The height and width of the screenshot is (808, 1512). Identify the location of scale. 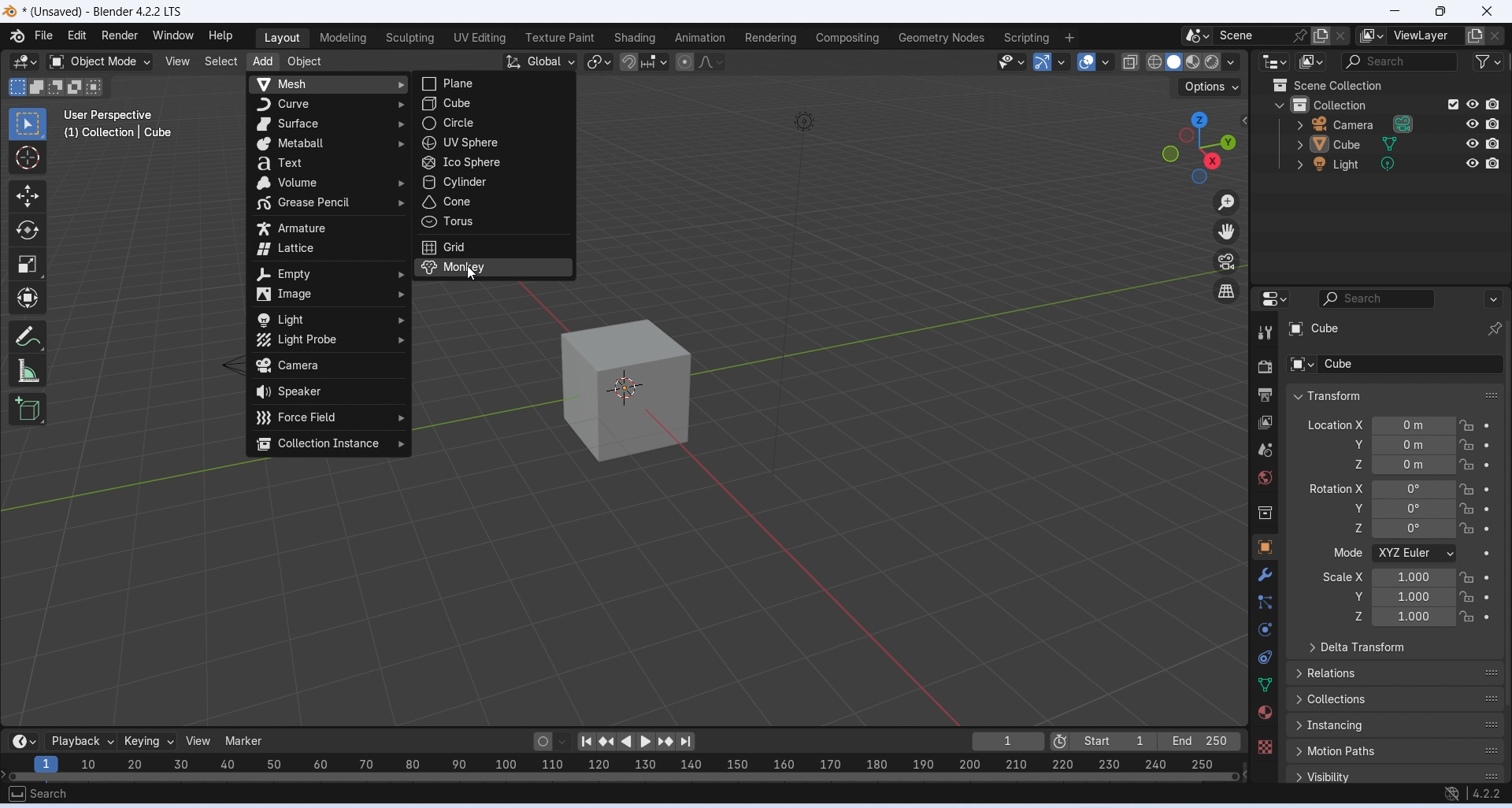
(1414, 597).